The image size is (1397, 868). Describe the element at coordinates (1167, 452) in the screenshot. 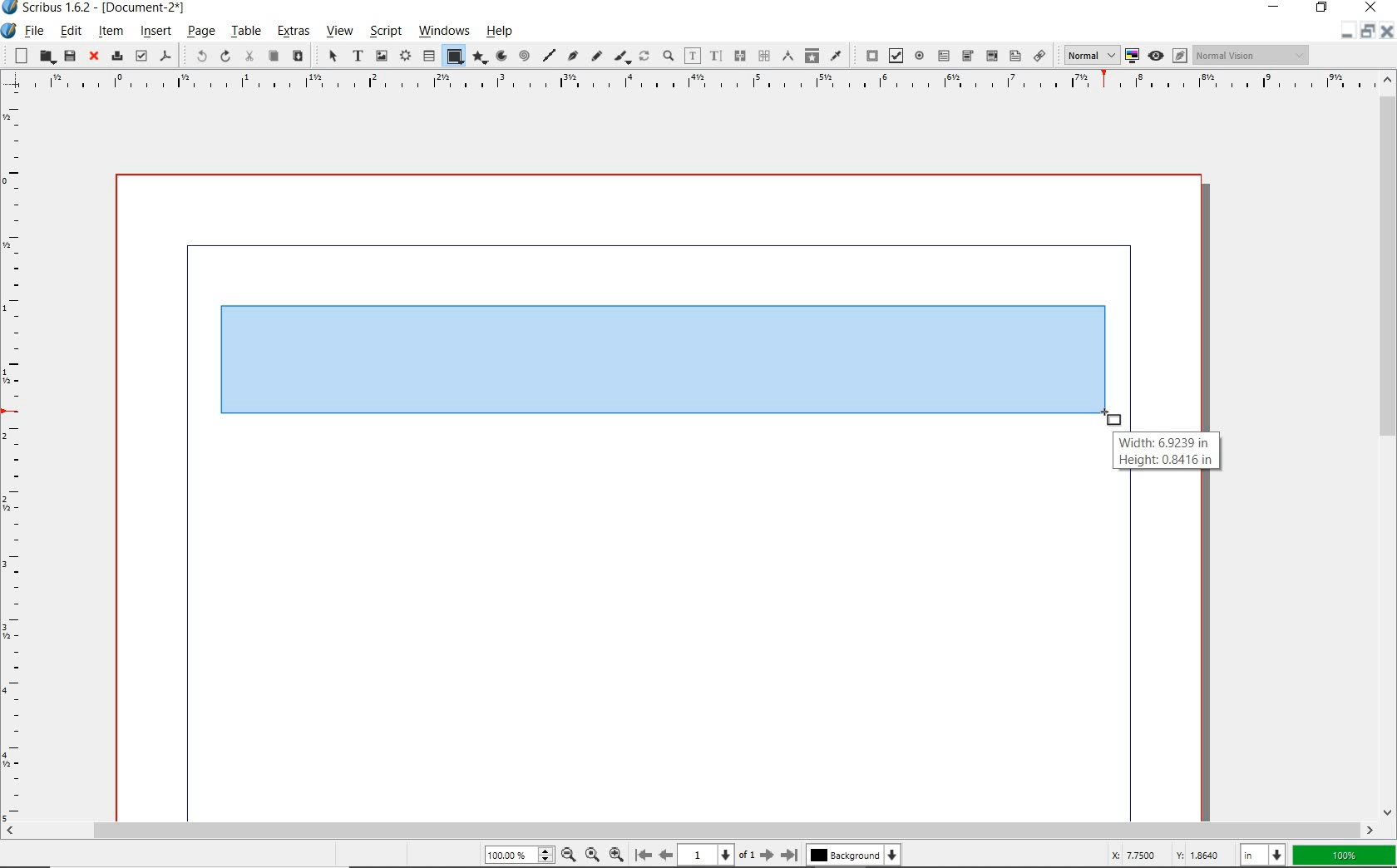

I see `Width: 6.9239 in  Height: 0.3416 in` at that location.